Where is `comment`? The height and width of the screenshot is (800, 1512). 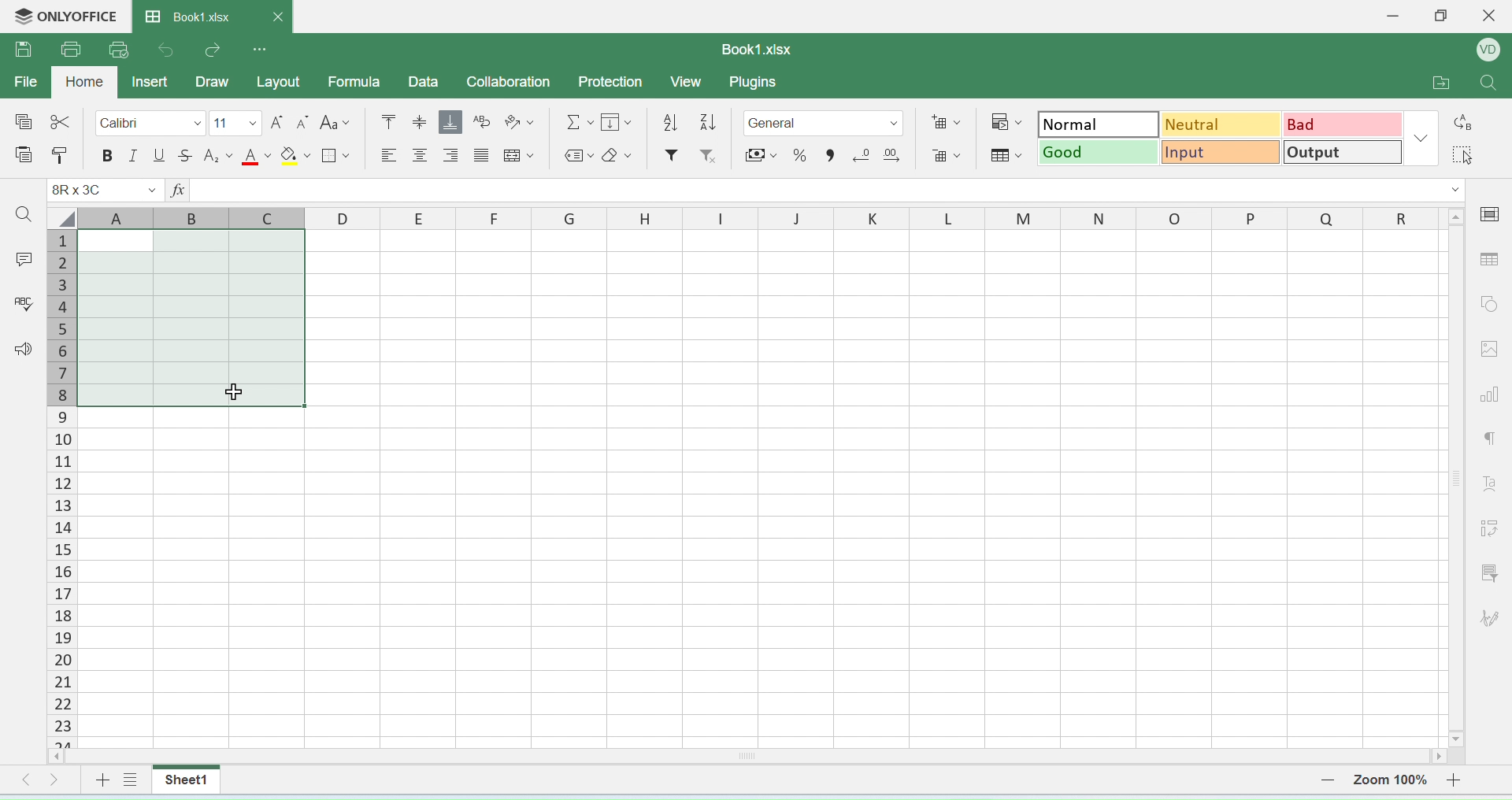 comment is located at coordinates (27, 257).